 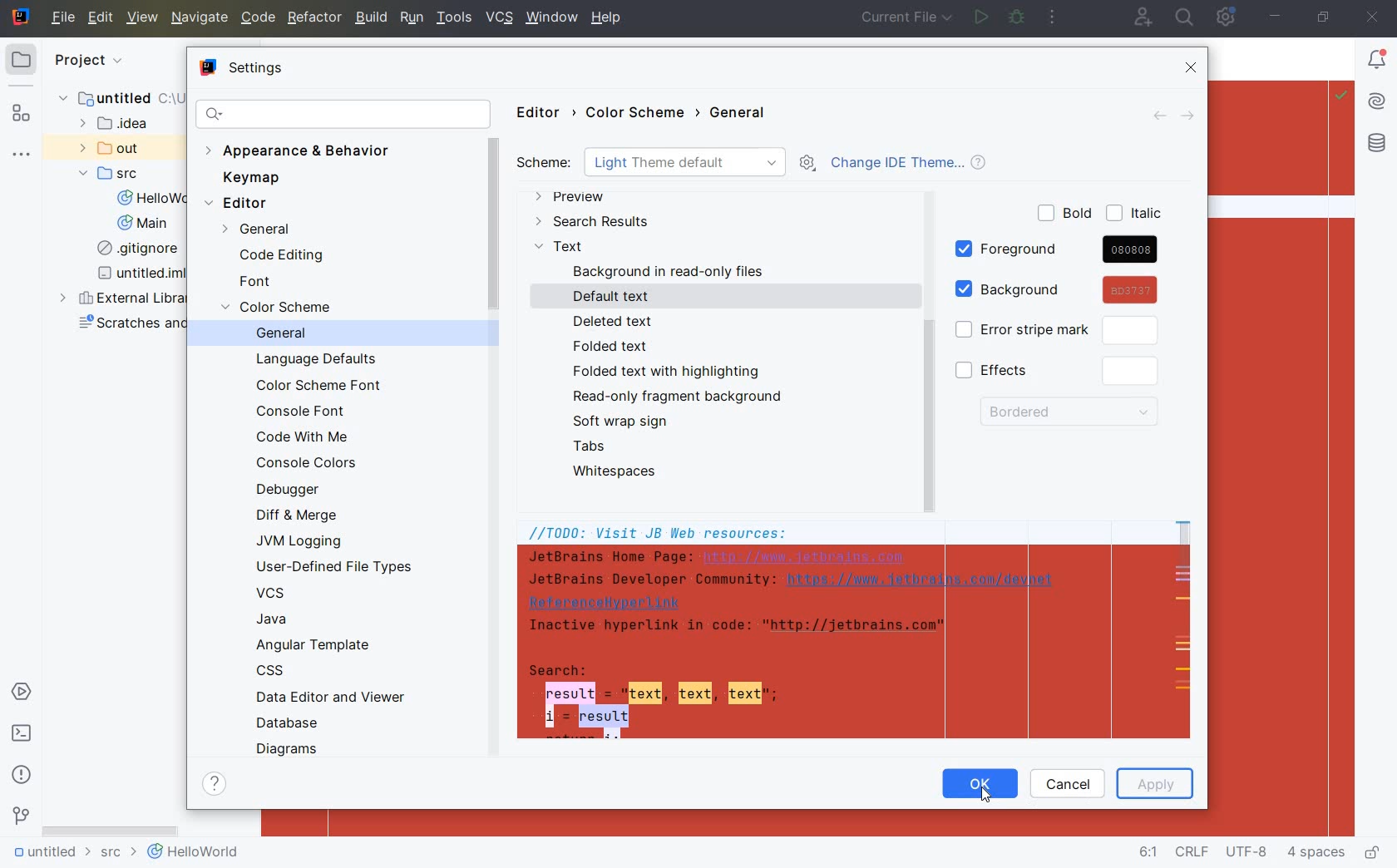 What do you see at coordinates (272, 593) in the screenshot?
I see `VCS` at bounding box center [272, 593].